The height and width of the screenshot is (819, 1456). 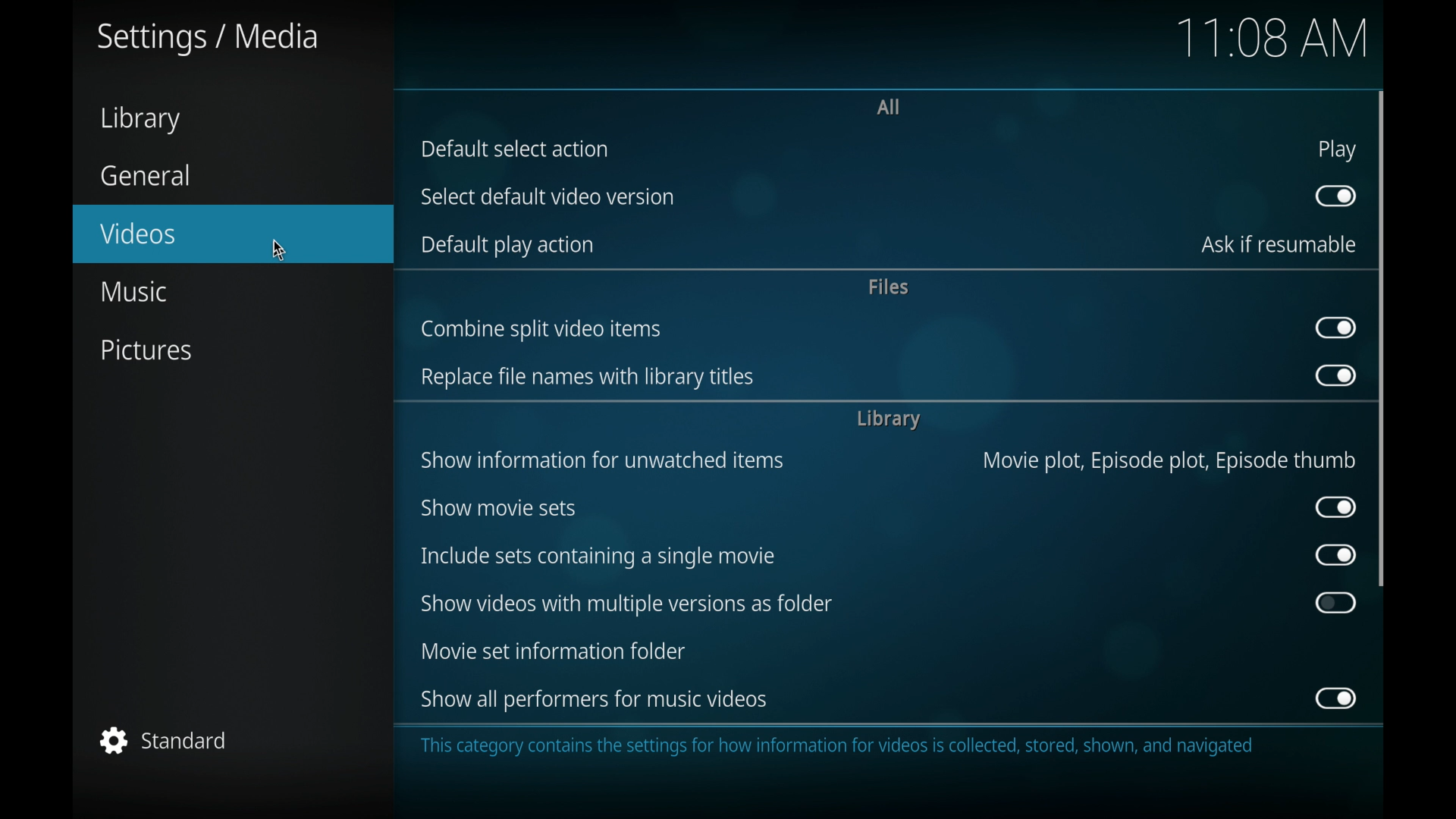 I want to click on toggle button, so click(x=1336, y=375).